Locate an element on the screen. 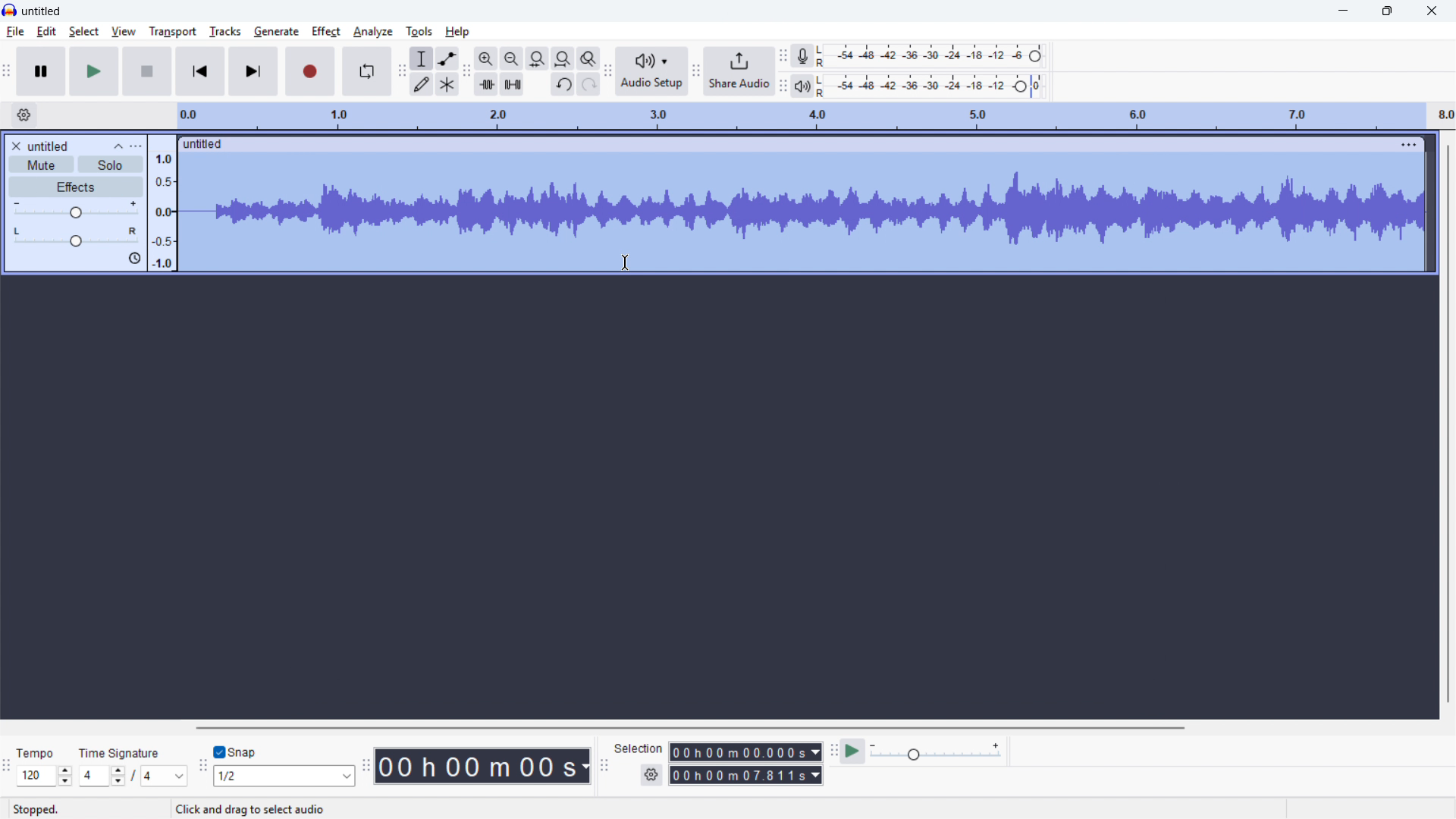  stop is located at coordinates (148, 71).